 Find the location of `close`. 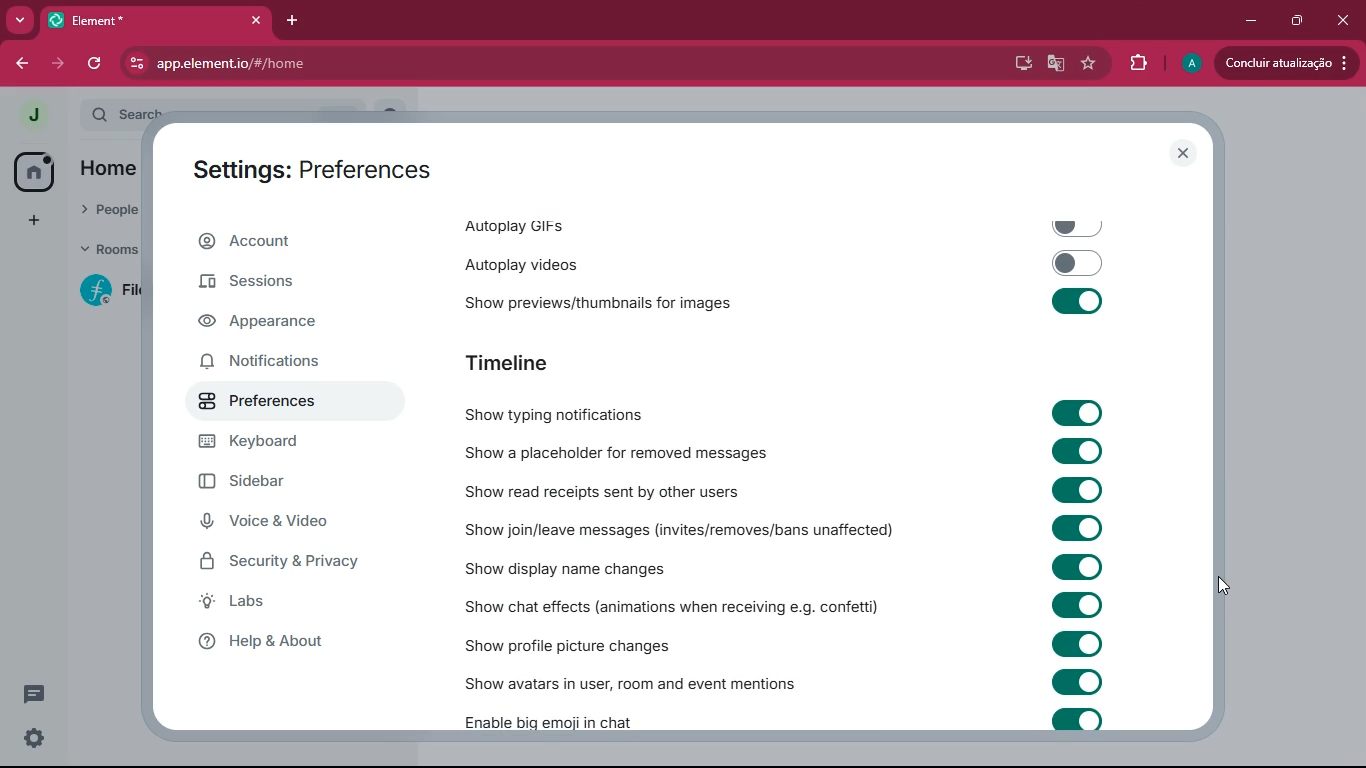

close is located at coordinates (1340, 19).